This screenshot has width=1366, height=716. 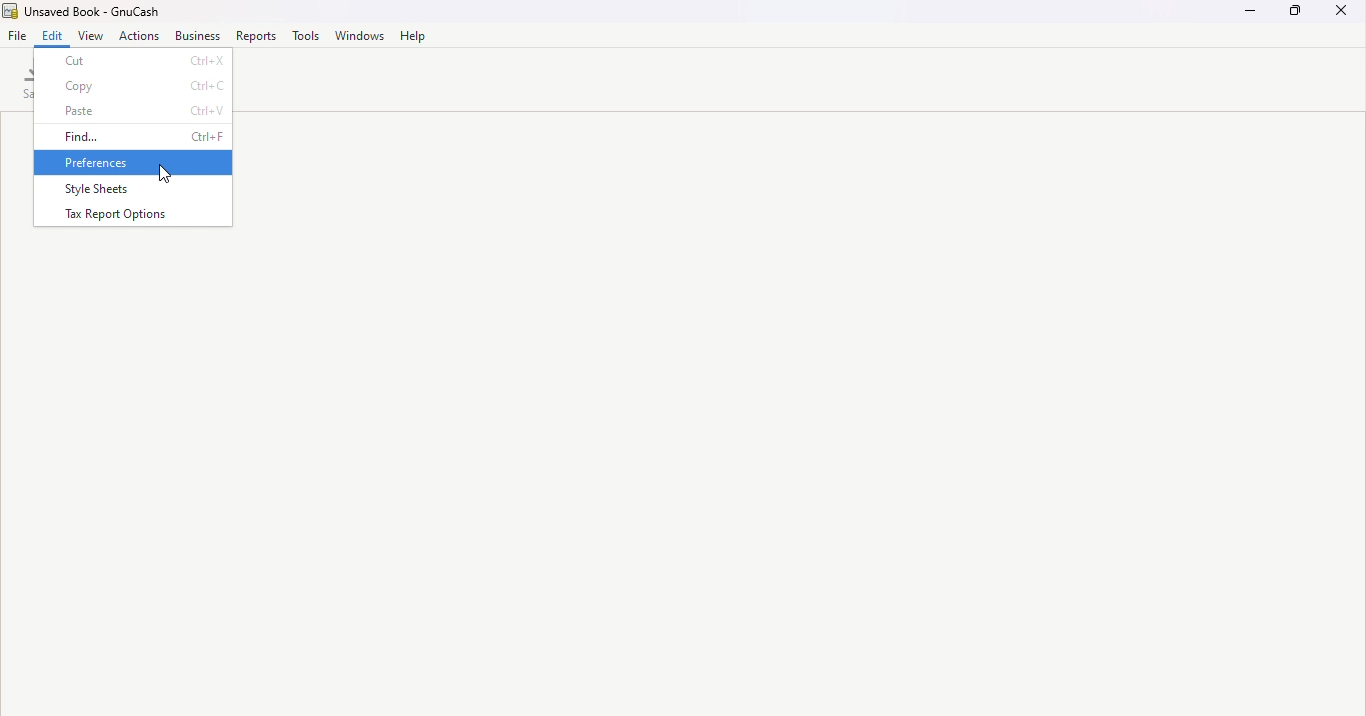 I want to click on Copy, so click(x=134, y=84).